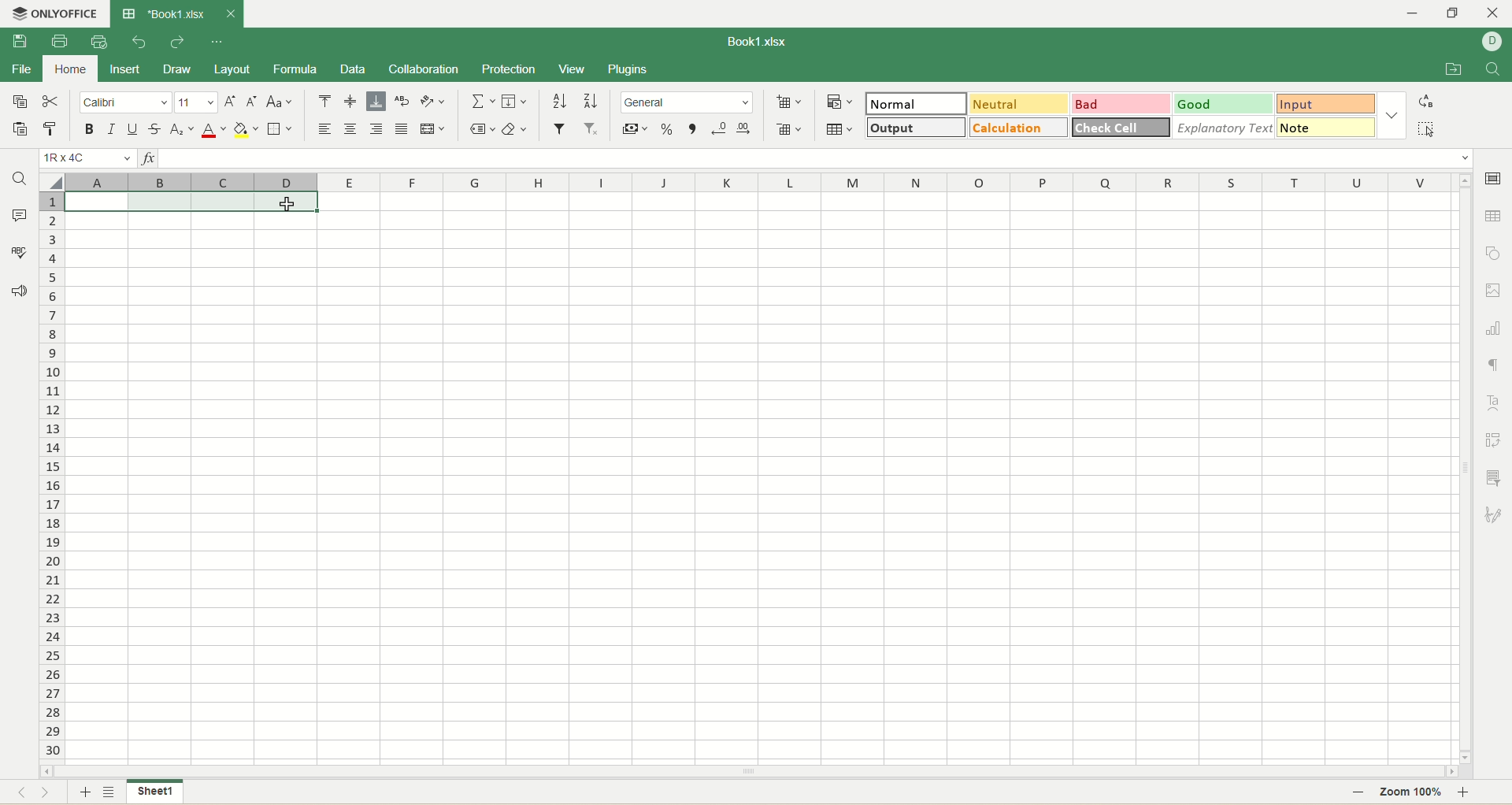 This screenshot has height=805, width=1512. Describe the element at coordinates (154, 792) in the screenshot. I see `sheet name` at that location.